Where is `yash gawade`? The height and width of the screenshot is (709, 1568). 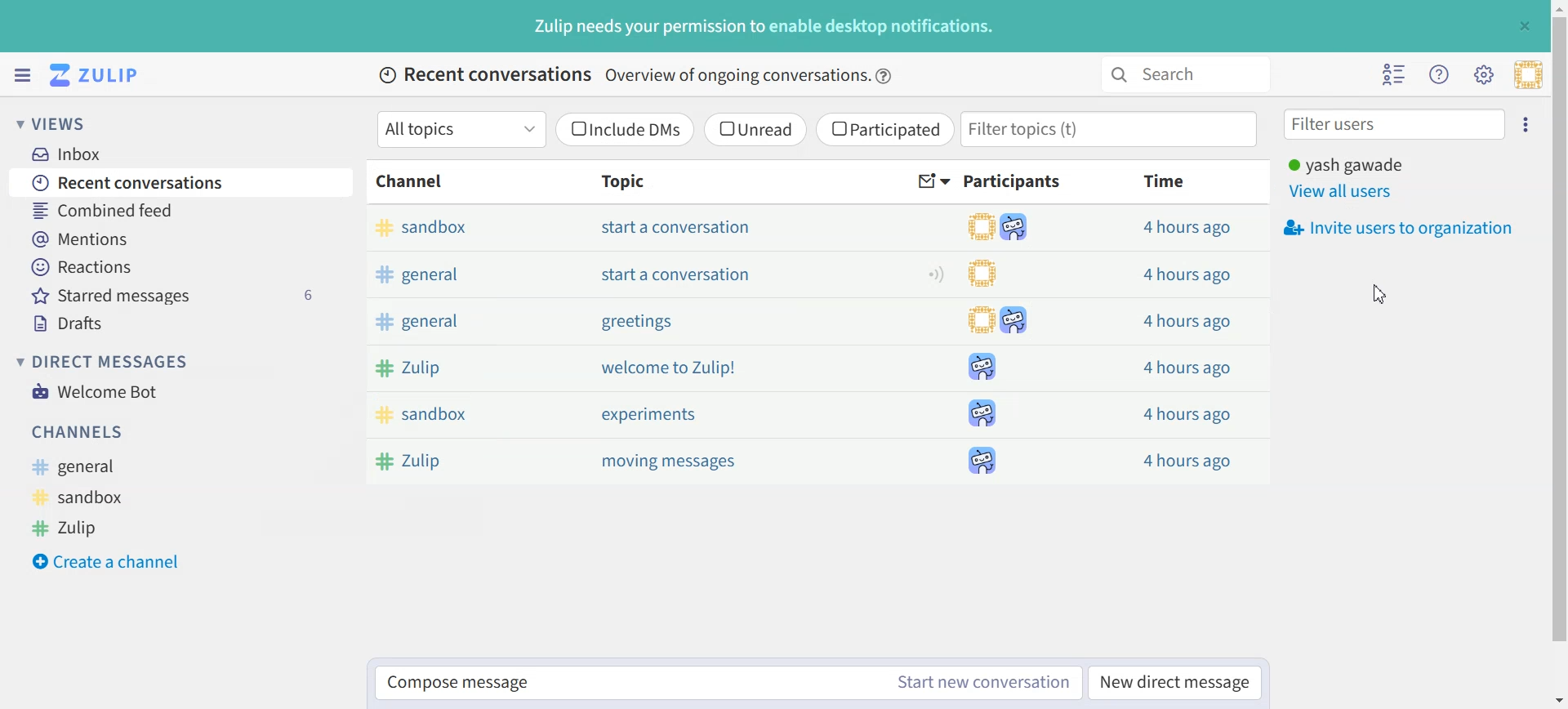 yash gawade is located at coordinates (1346, 163).